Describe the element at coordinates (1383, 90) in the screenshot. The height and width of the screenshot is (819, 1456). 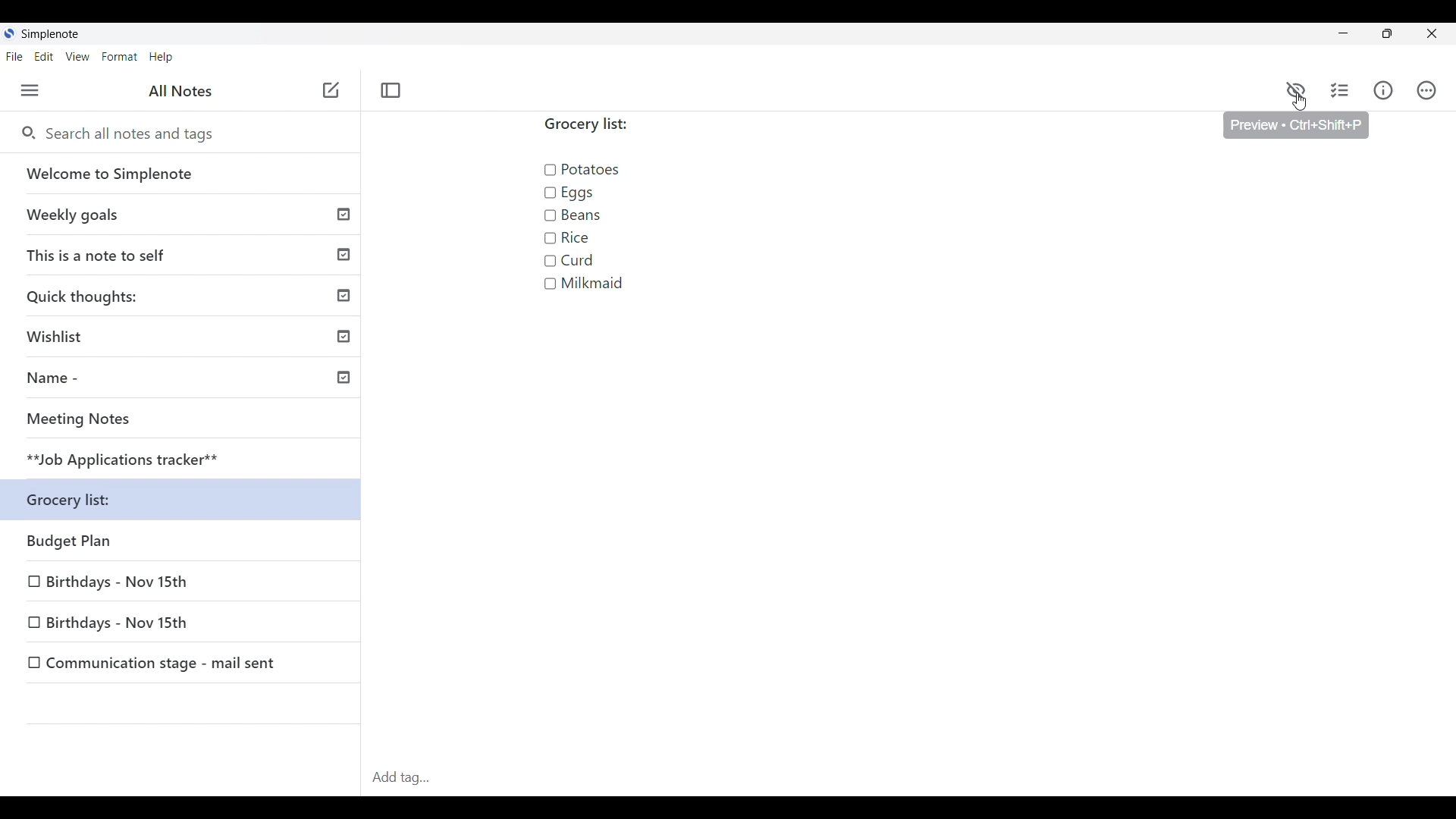
I see `Info` at that location.